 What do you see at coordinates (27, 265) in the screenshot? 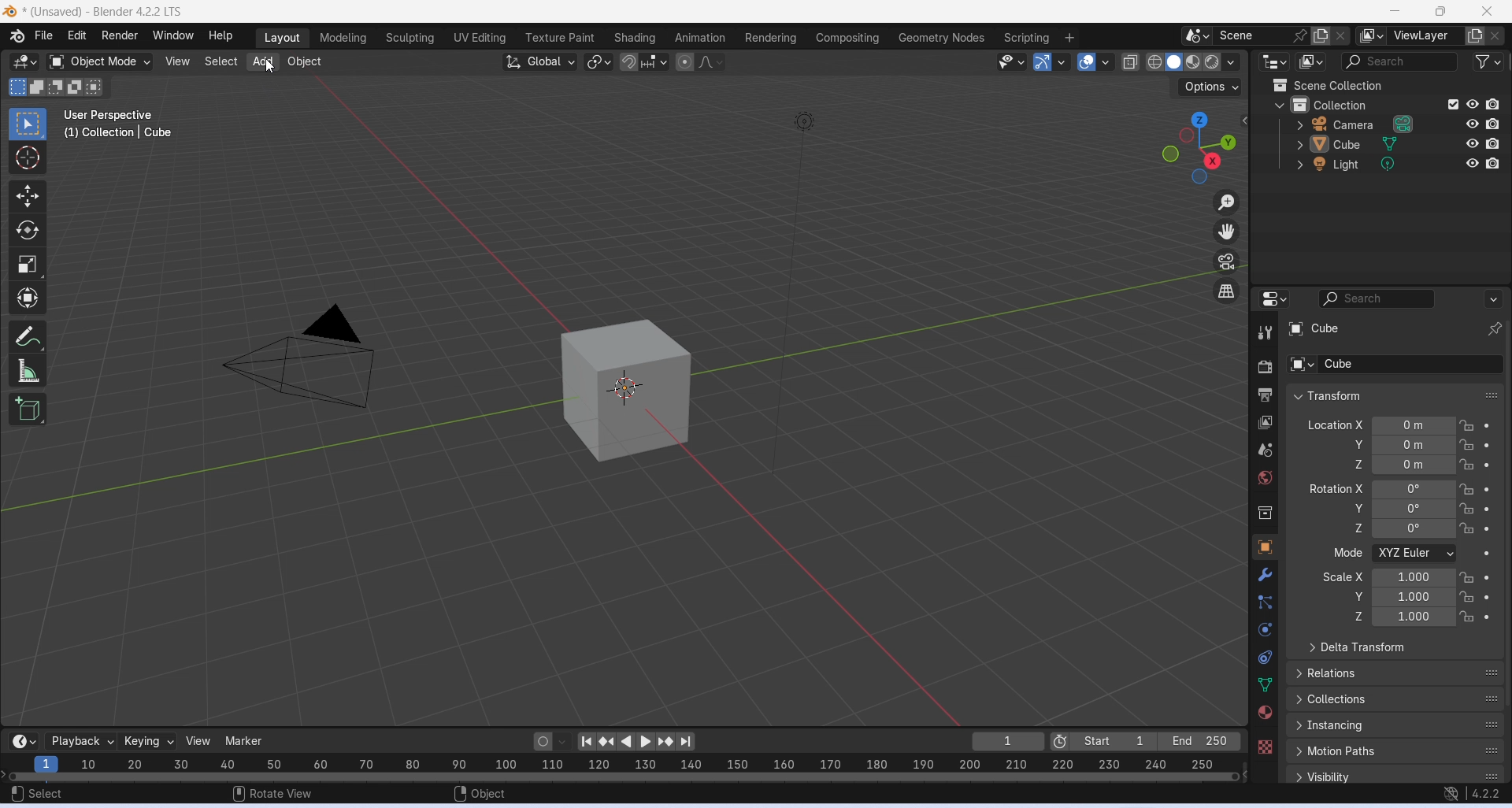
I see `Scale` at bounding box center [27, 265].